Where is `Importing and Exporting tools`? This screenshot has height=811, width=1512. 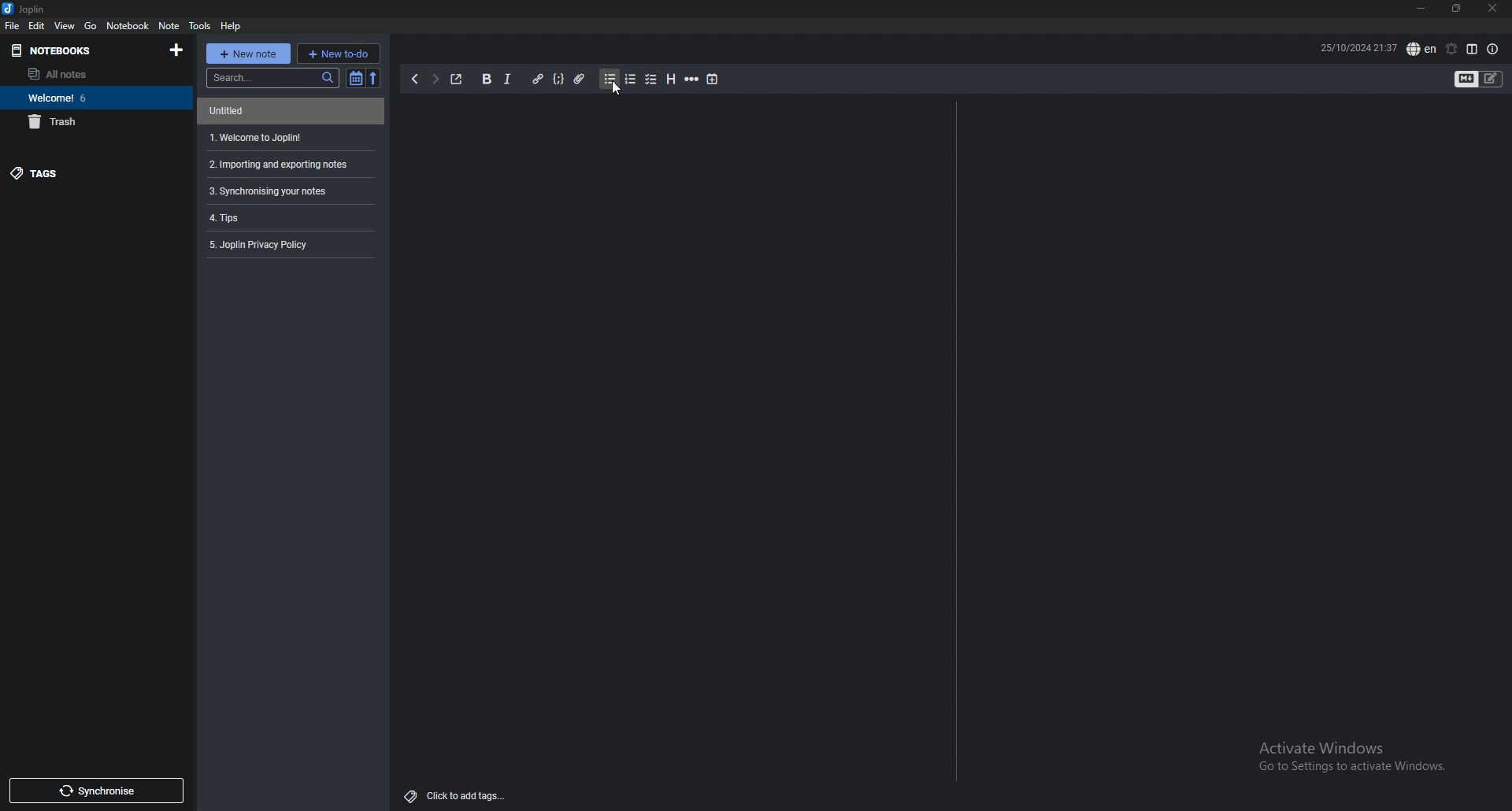 Importing and Exporting tools is located at coordinates (283, 163).